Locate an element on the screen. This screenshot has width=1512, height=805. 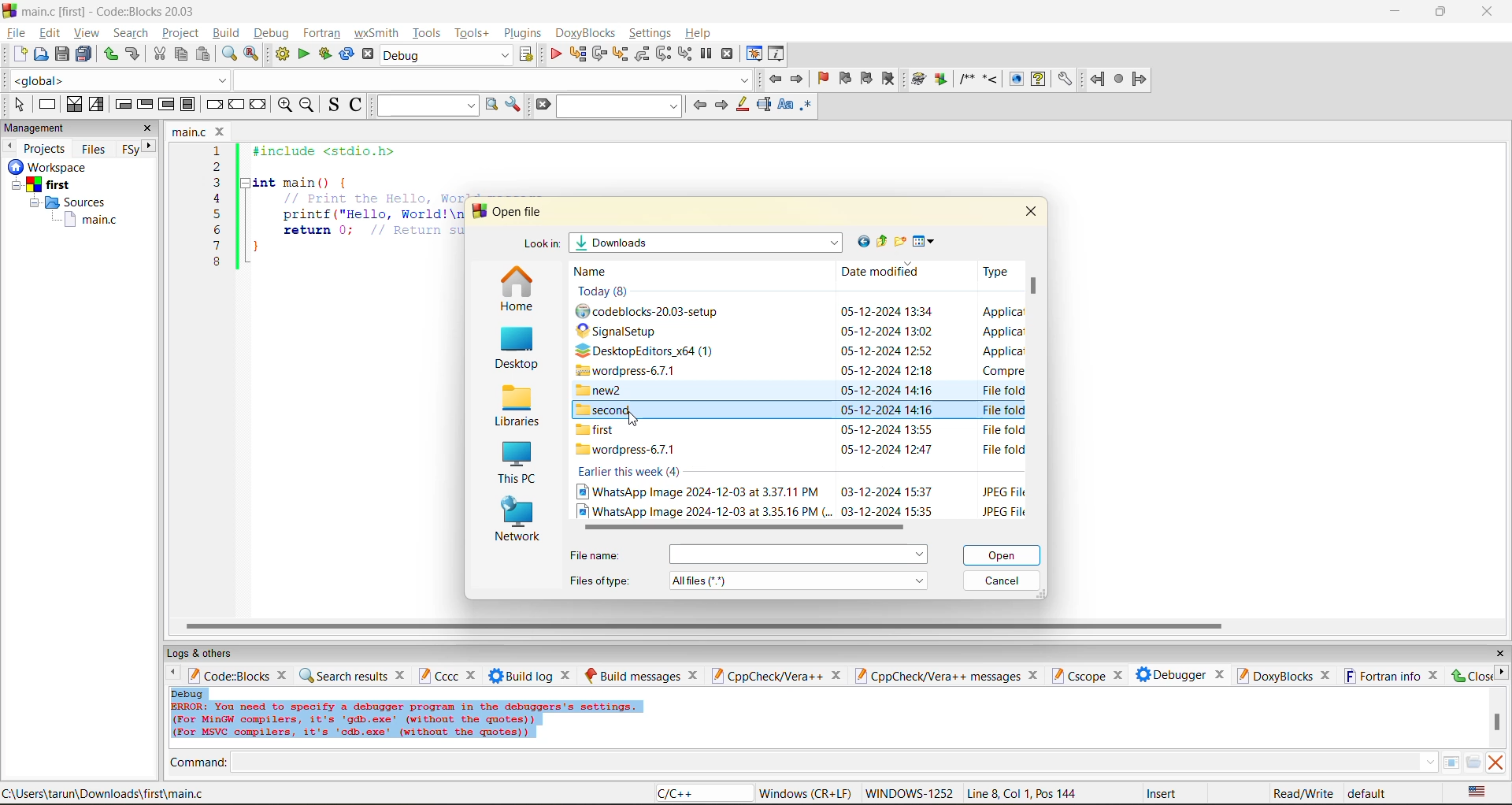
close is located at coordinates (473, 676).